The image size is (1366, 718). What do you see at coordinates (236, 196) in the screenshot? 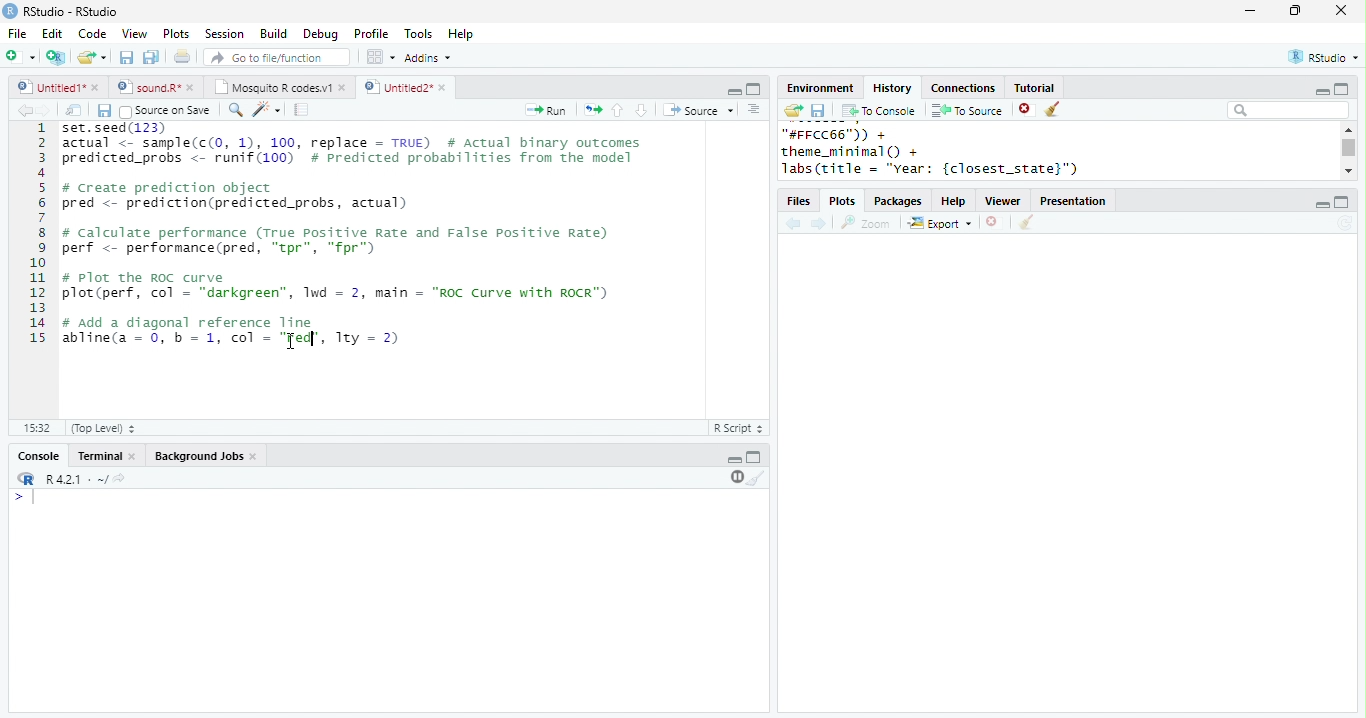
I see `# Create prediction object
pred <- prediction(predicted_probs, actual)` at bounding box center [236, 196].